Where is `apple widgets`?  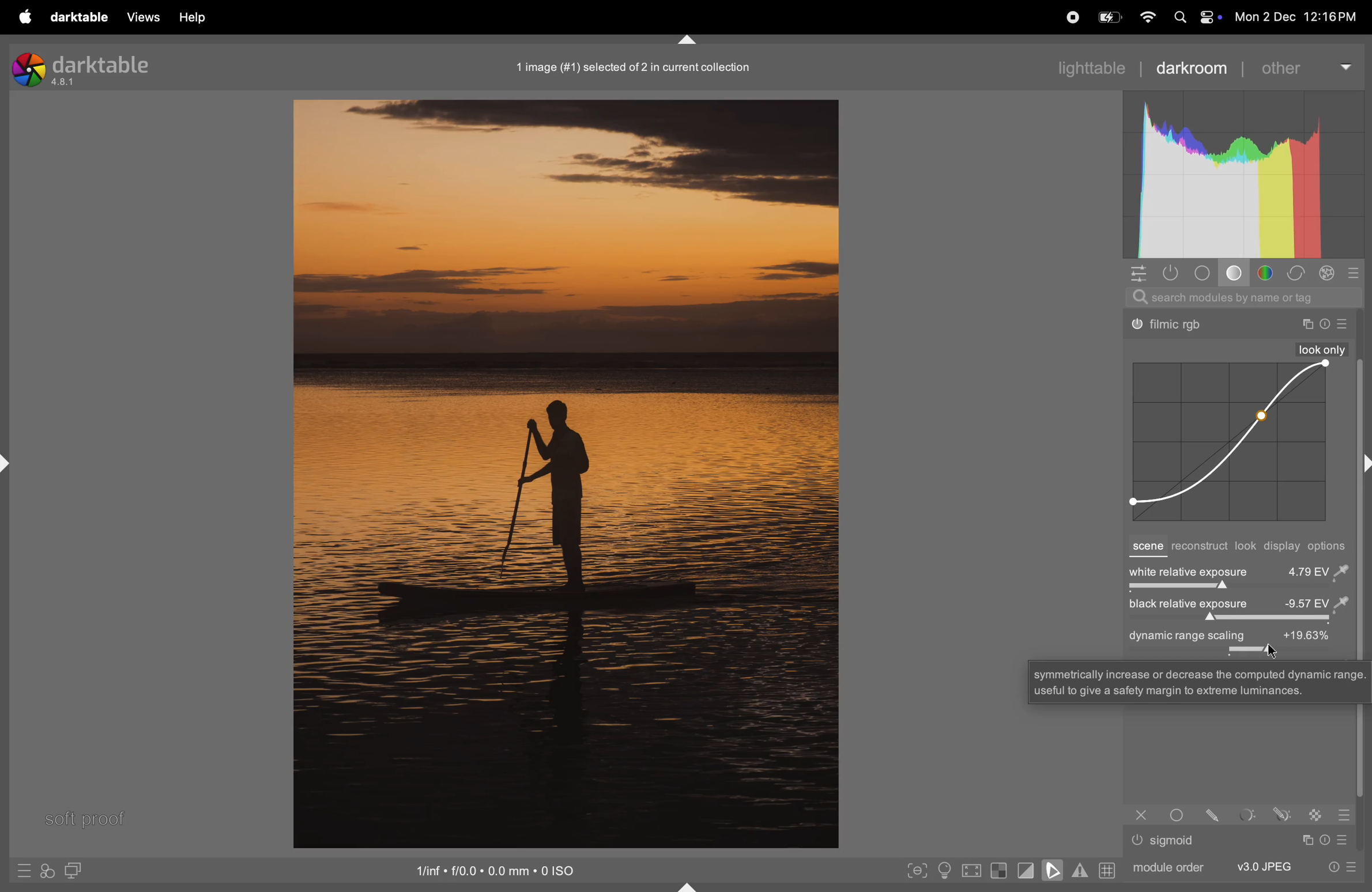 apple widgets is located at coordinates (1194, 18).